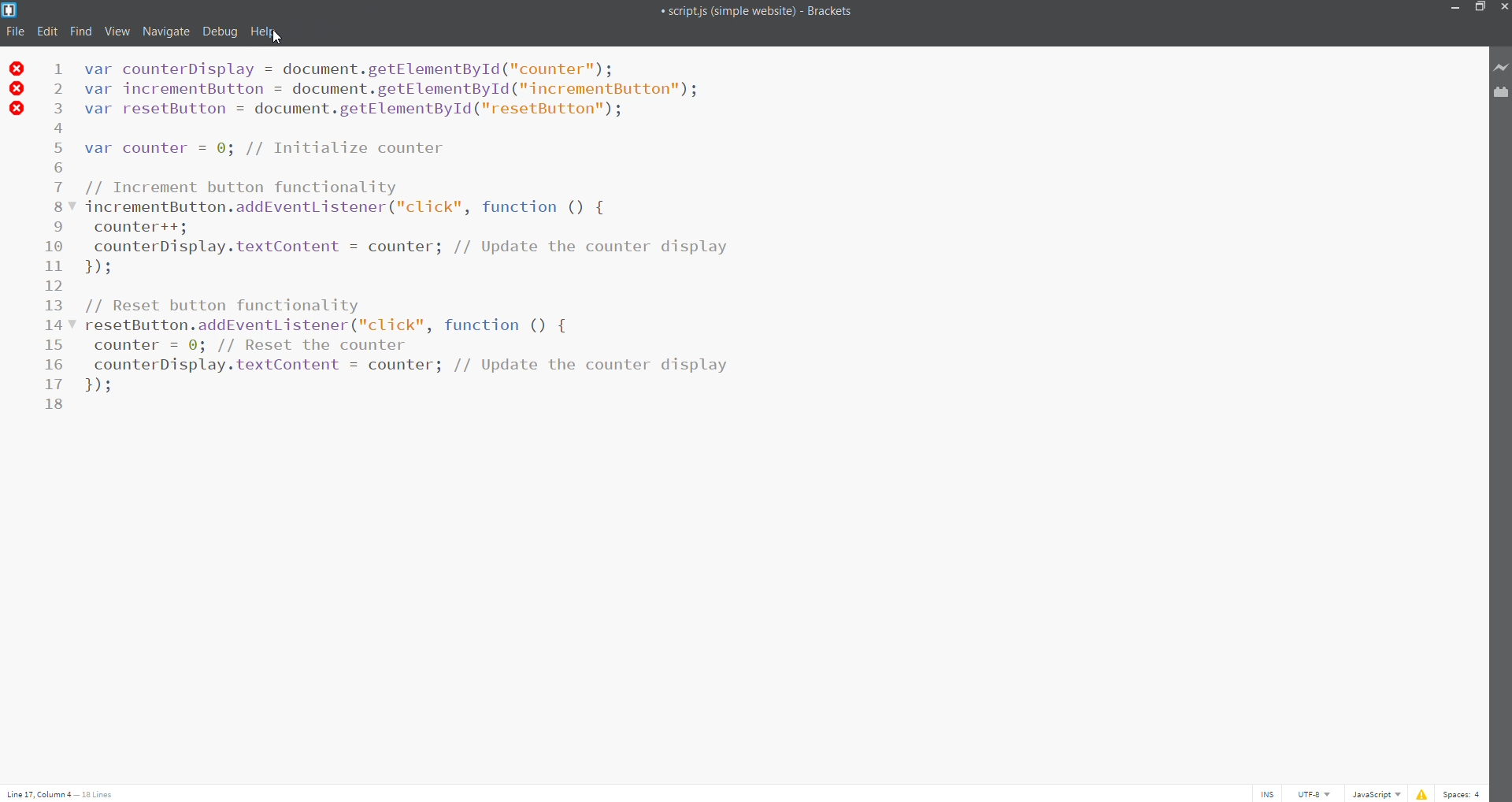  What do you see at coordinates (9, 9) in the screenshot?
I see `bracket's logo` at bounding box center [9, 9].